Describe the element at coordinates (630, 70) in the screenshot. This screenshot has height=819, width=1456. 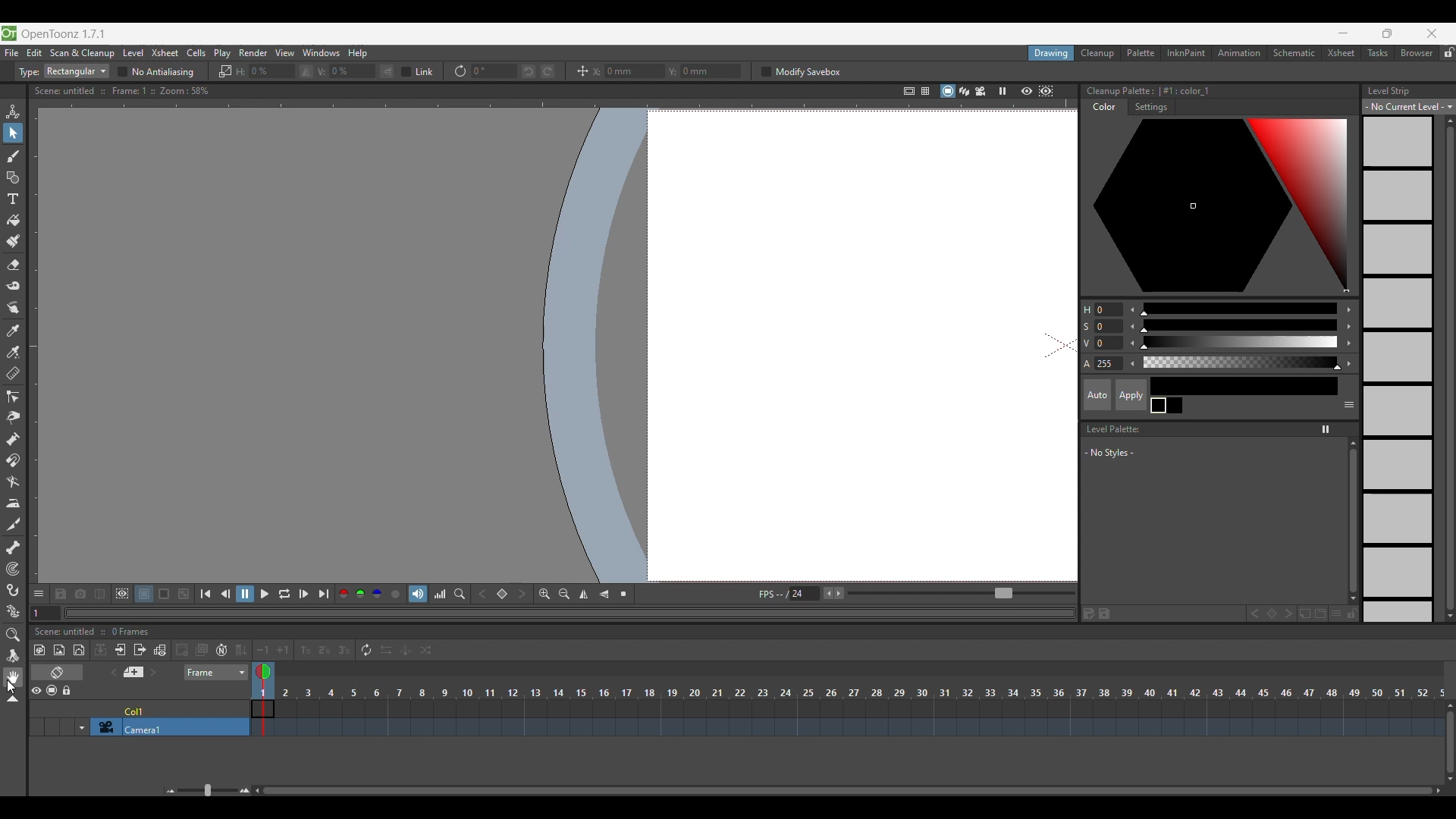
I see `Input X axis position` at that location.